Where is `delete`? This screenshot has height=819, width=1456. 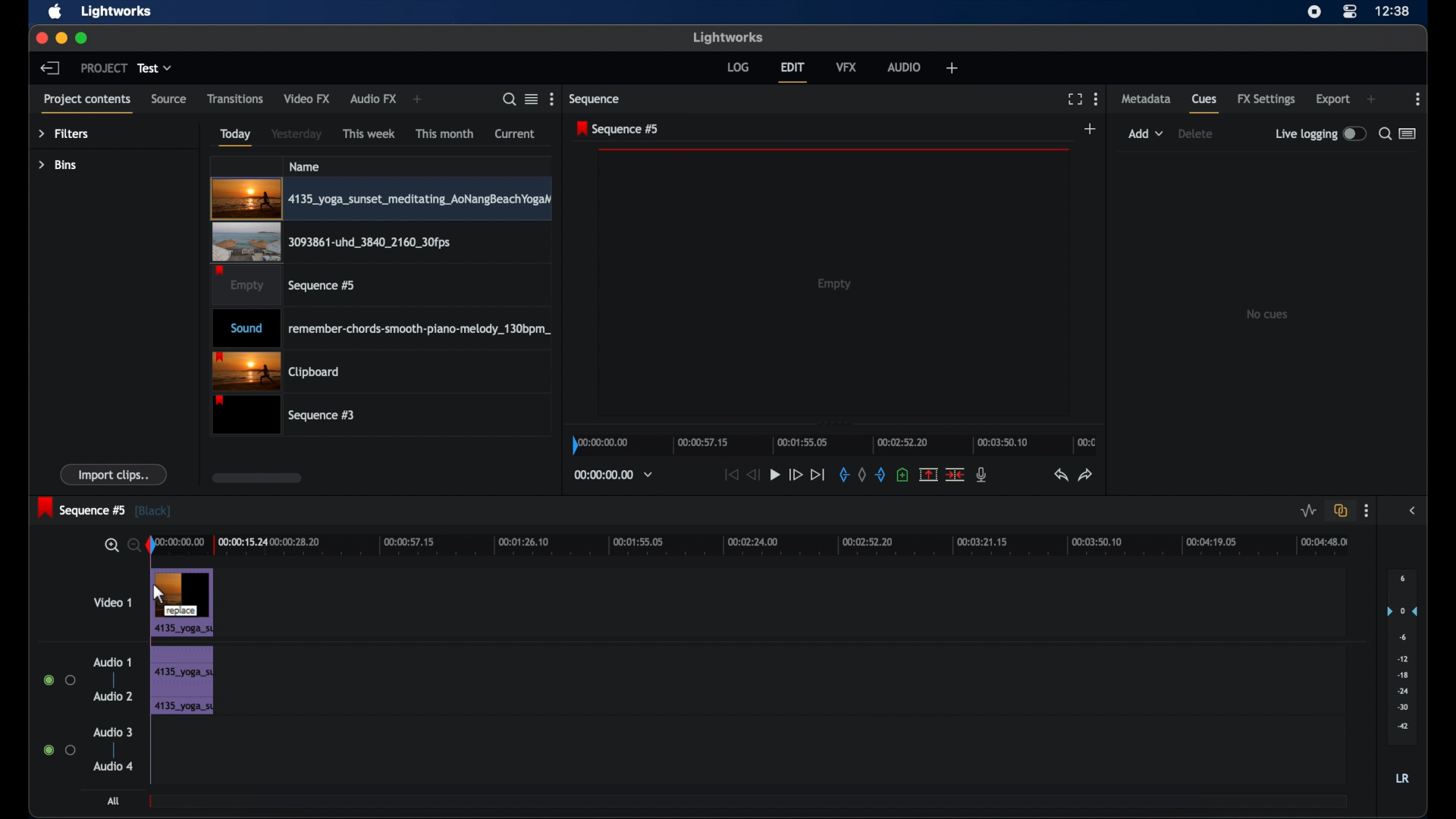
delete is located at coordinates (1198, 134).